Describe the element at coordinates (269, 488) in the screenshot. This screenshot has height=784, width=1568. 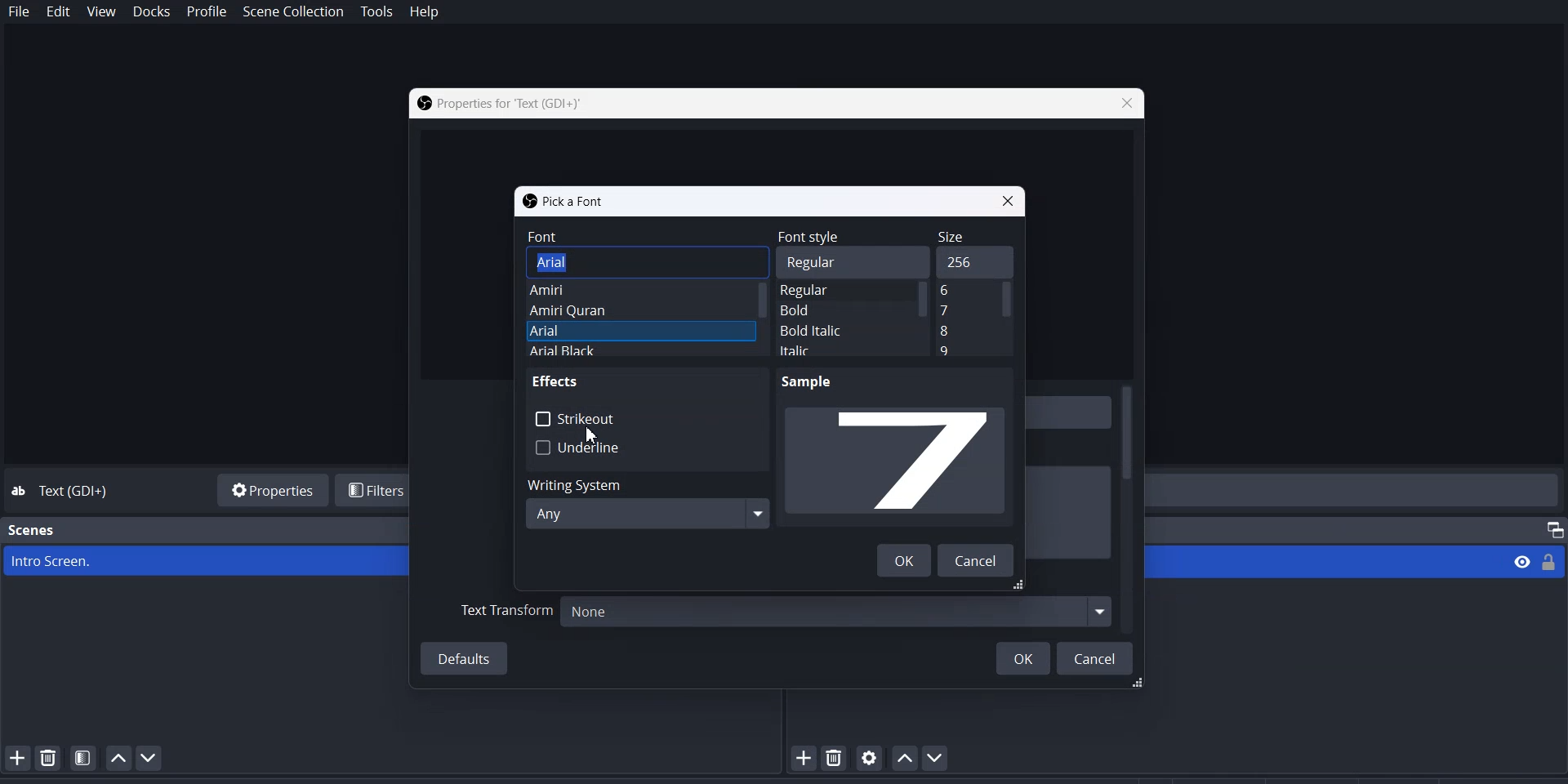
I see `Properties` at that location.